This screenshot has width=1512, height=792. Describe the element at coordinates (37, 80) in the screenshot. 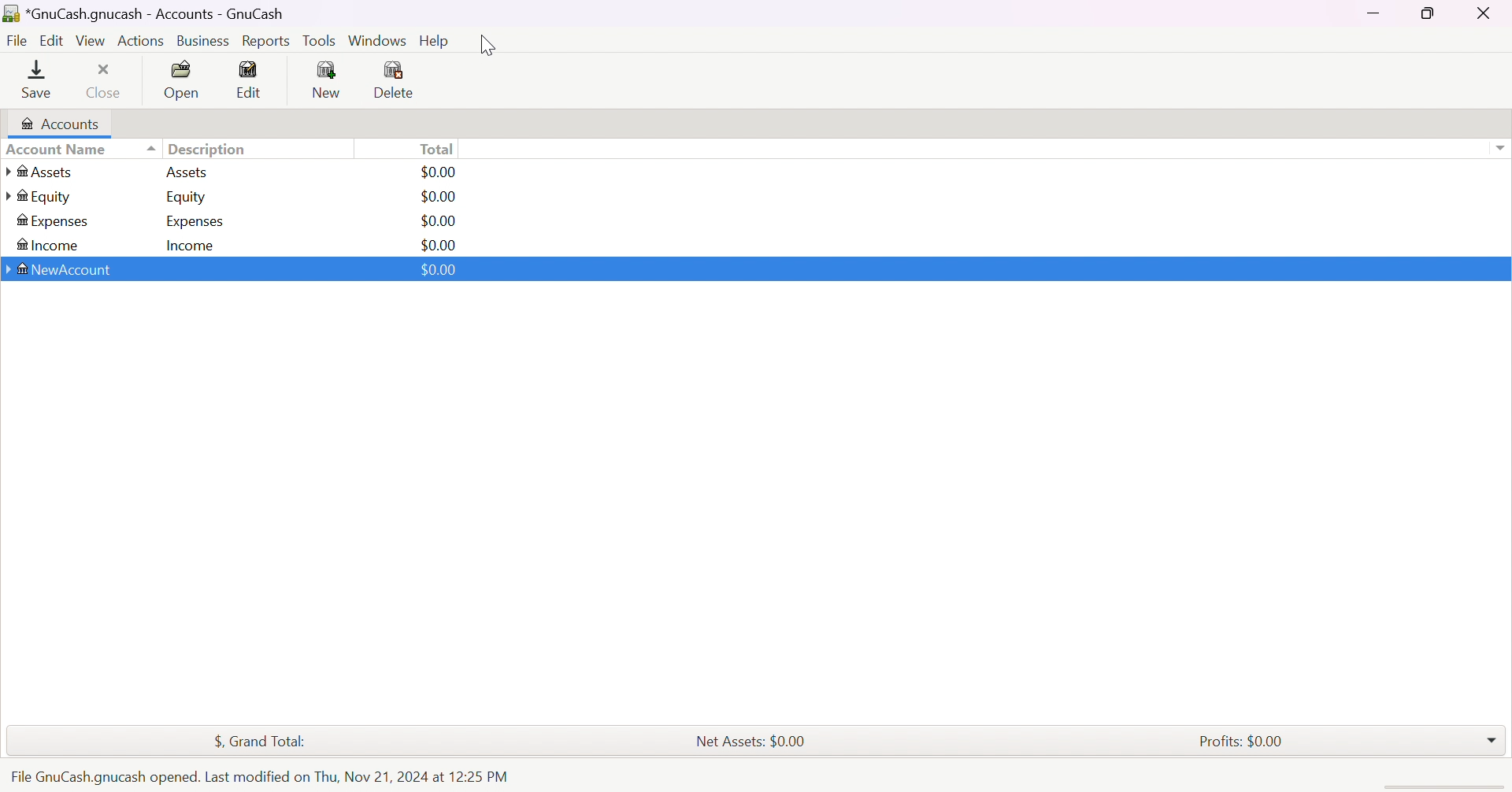

I see `Save` at that location.